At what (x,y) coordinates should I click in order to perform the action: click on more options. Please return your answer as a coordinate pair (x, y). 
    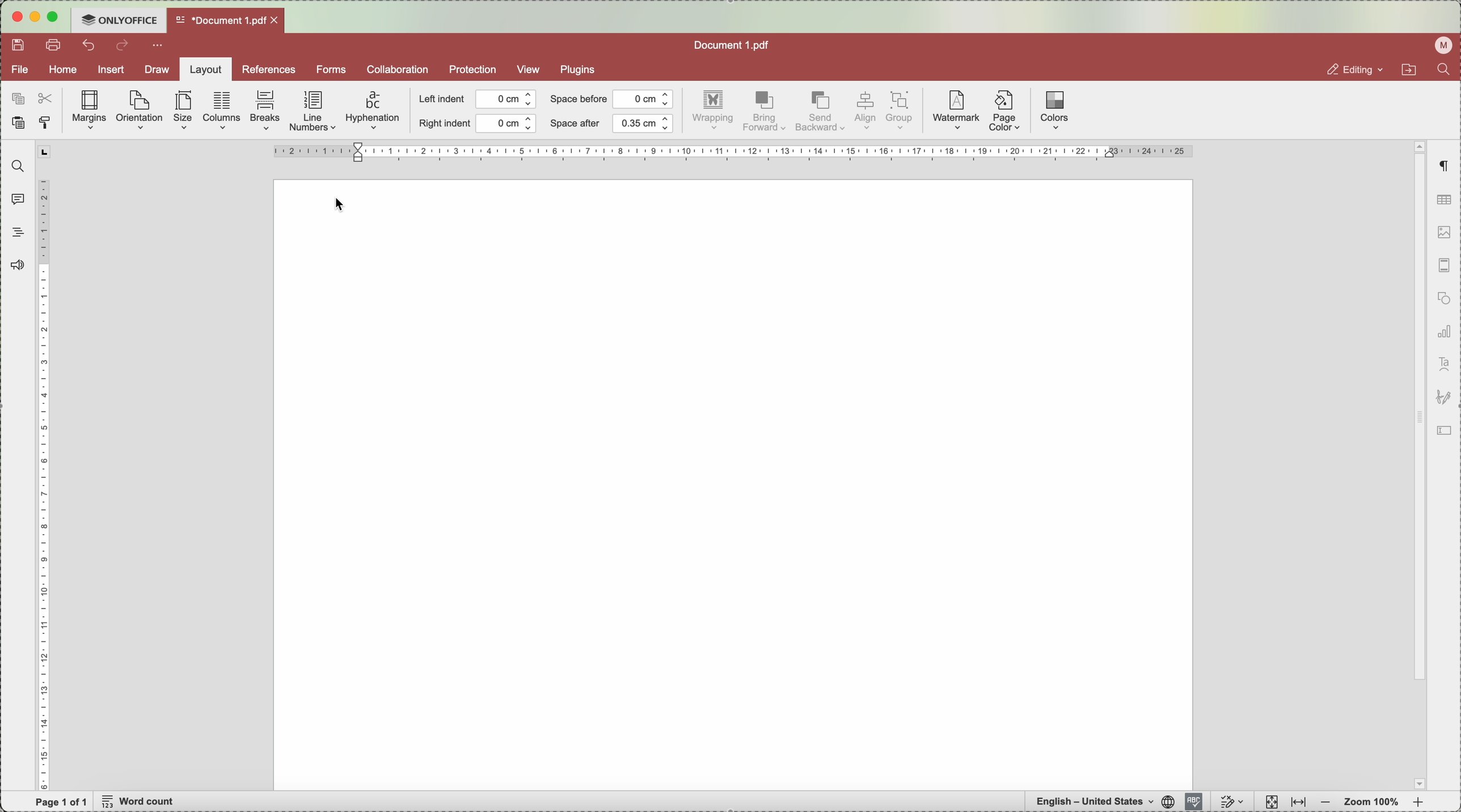
    Looking at the image, I should click on (159, 46).